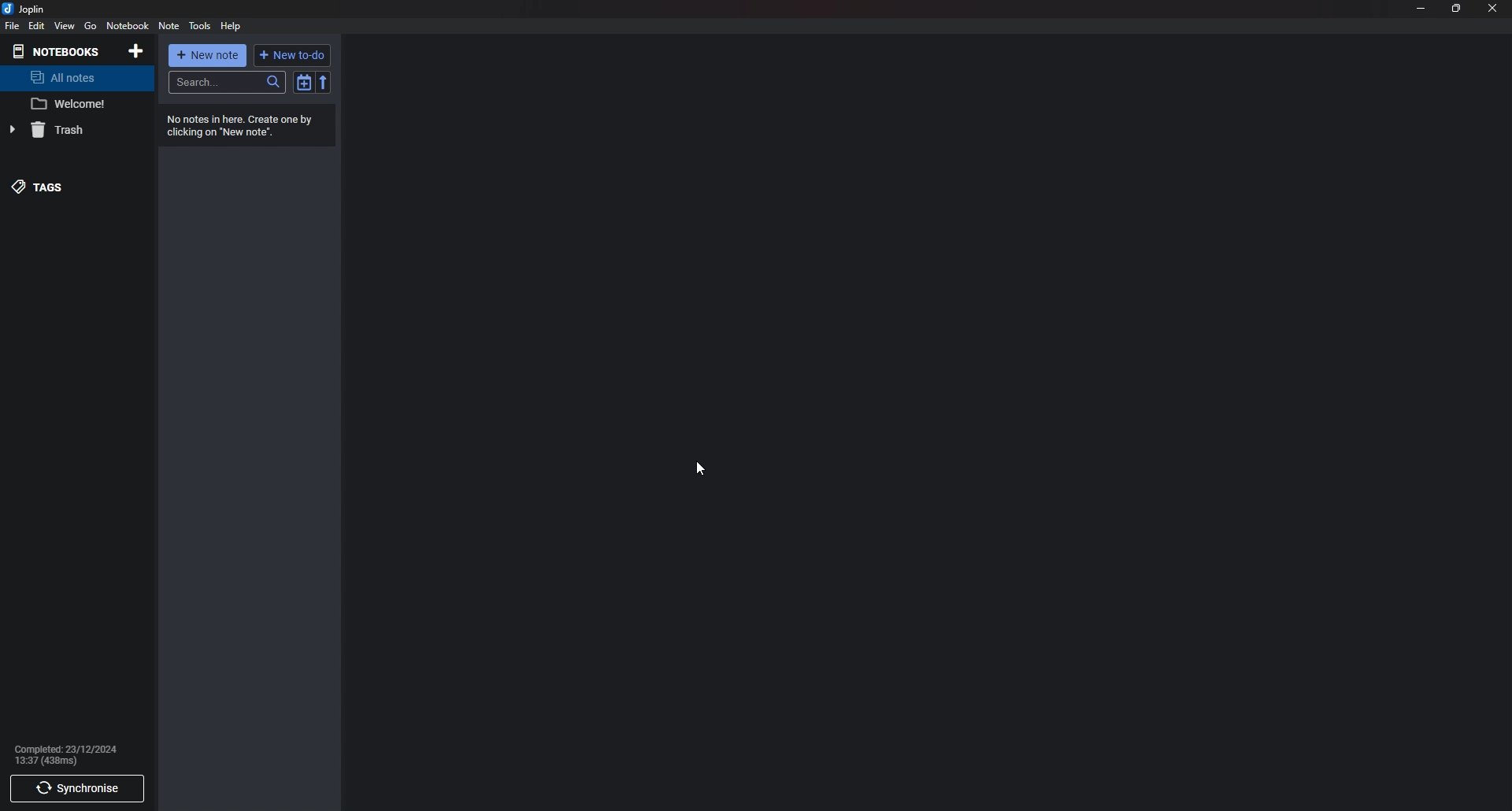  What do you see at coordinates (1422, 8) in the screenshot?
I see `Minimize` at bounding box center [1422, 8].